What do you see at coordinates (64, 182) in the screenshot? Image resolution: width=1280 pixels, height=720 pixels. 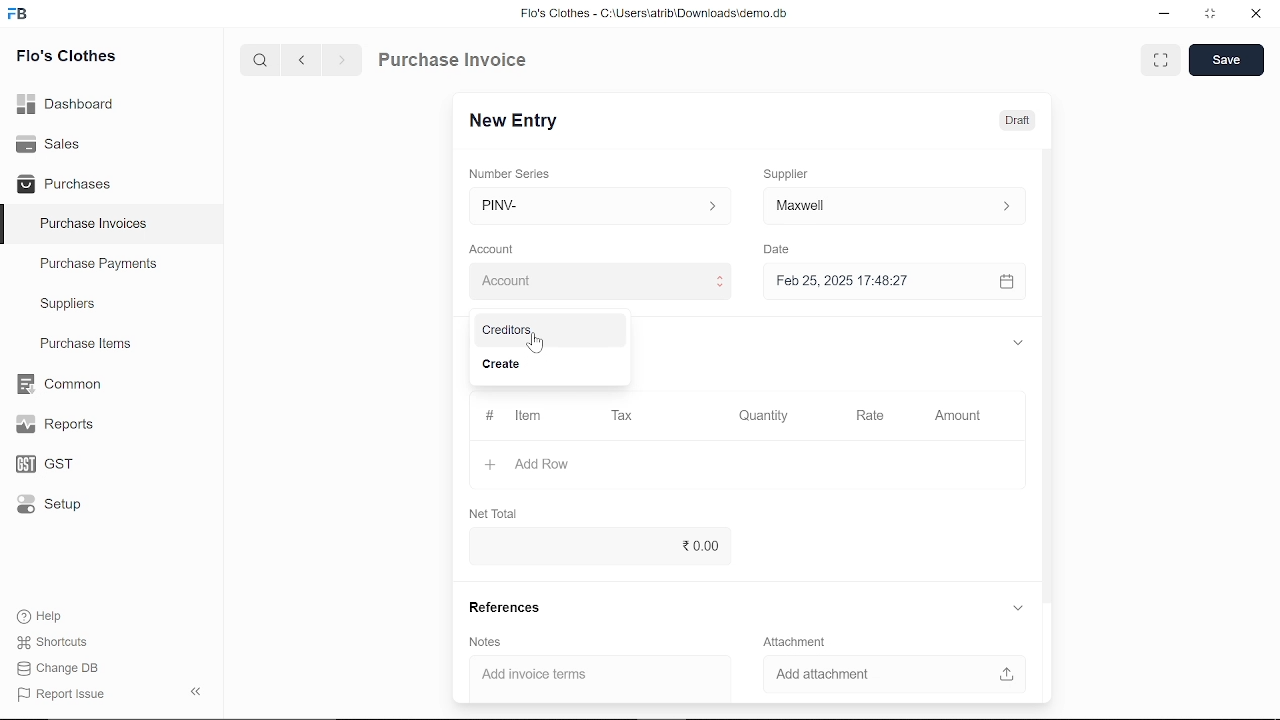 I see `Purchases` at bounding box center [64, 182].